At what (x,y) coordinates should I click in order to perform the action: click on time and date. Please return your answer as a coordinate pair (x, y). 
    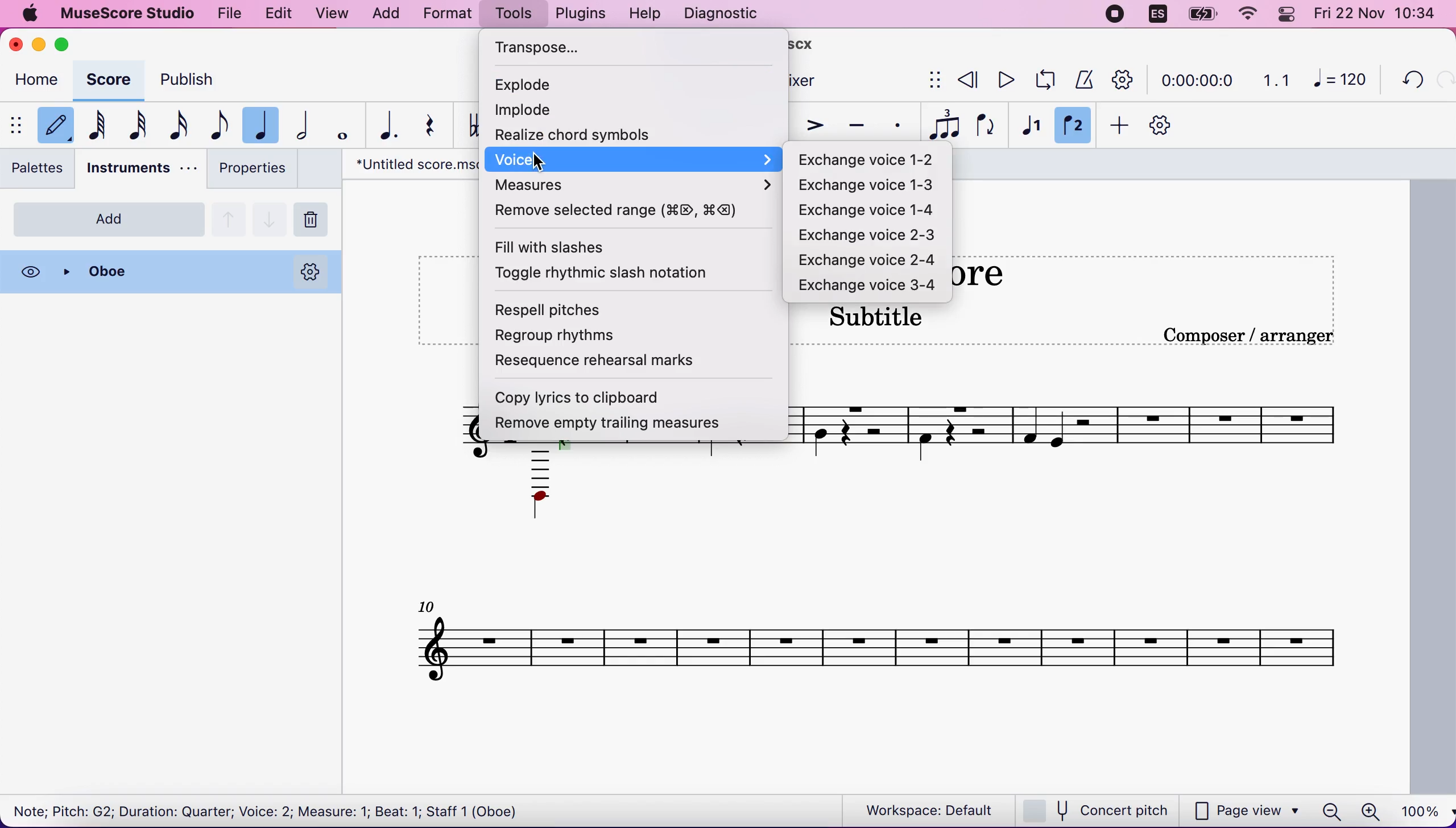
    Looking at the image, I should click on (1379, 15).